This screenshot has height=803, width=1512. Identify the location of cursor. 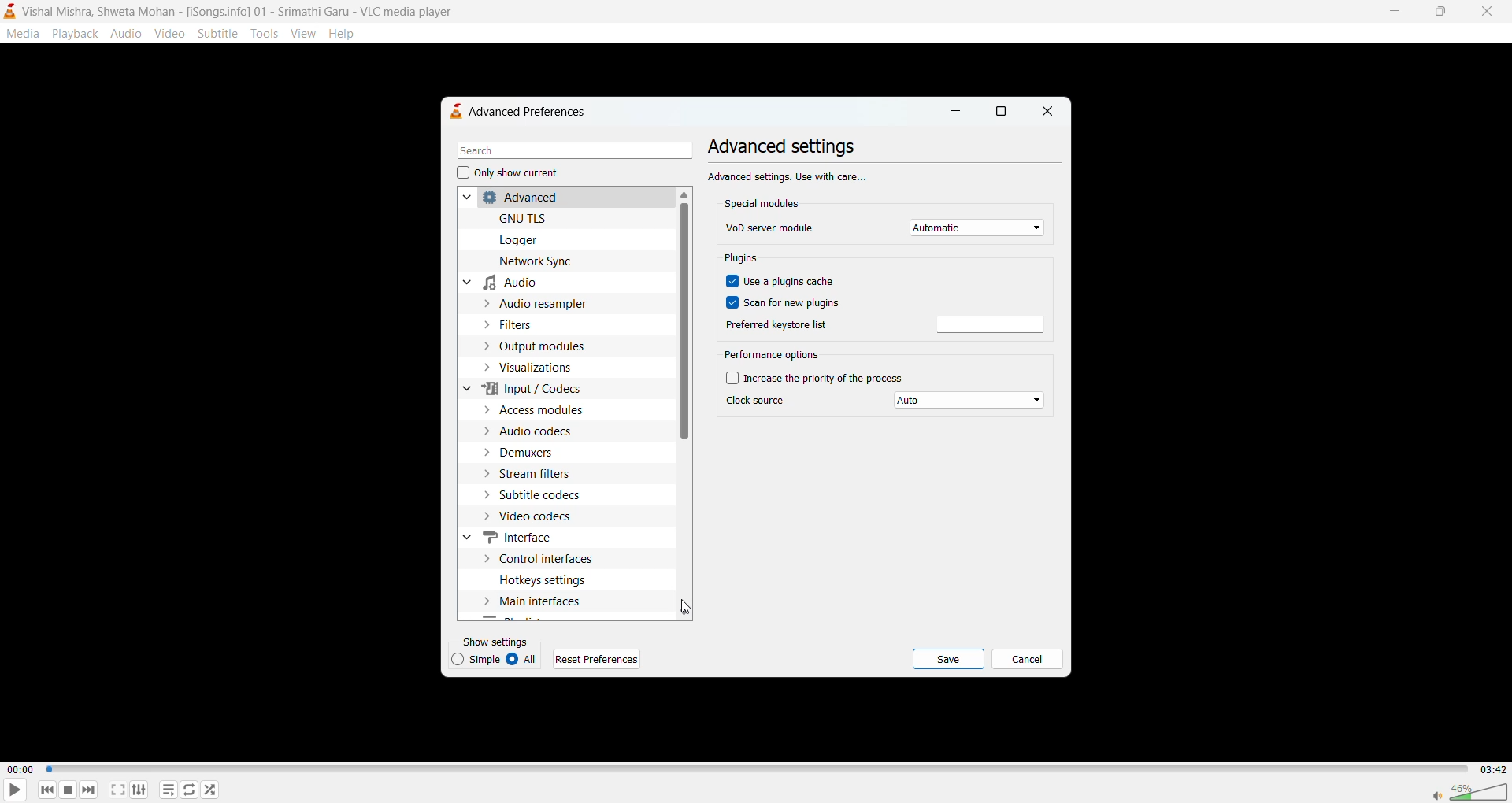
(687, 608).